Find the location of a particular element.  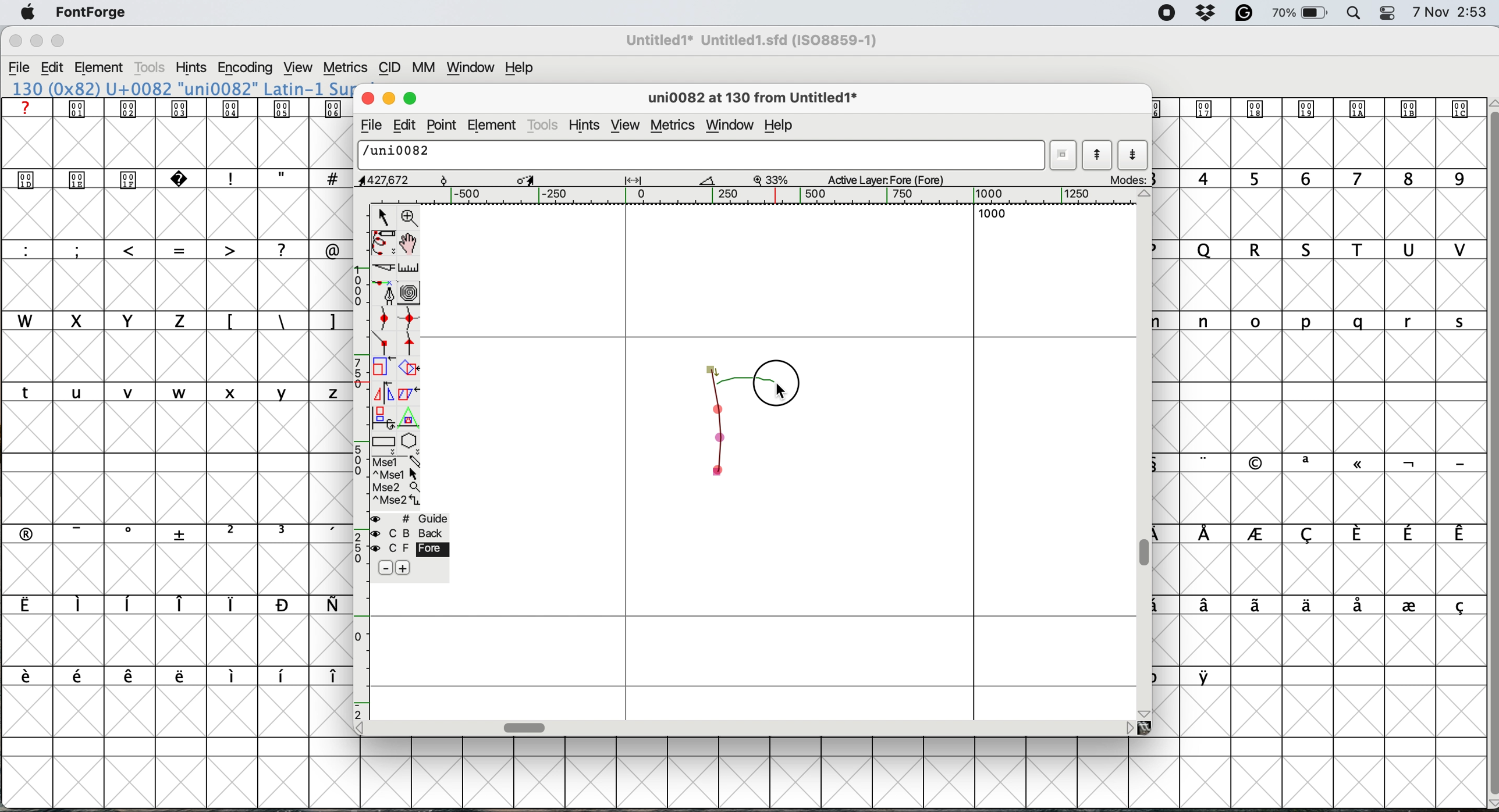

special characters is located at coordinates (169, 533).